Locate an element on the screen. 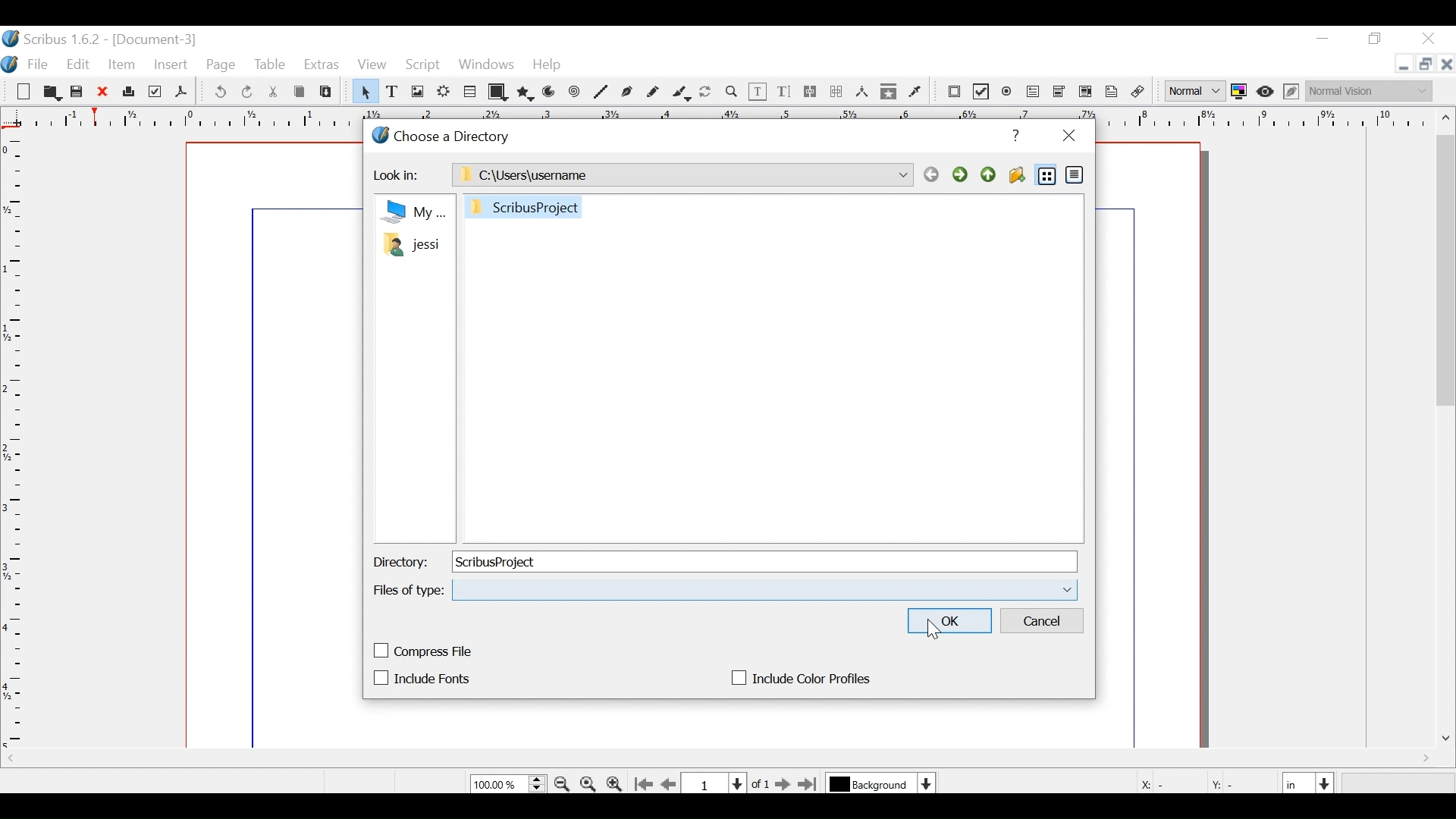  Toggle color Management System is located at coordinates (1239, 93).